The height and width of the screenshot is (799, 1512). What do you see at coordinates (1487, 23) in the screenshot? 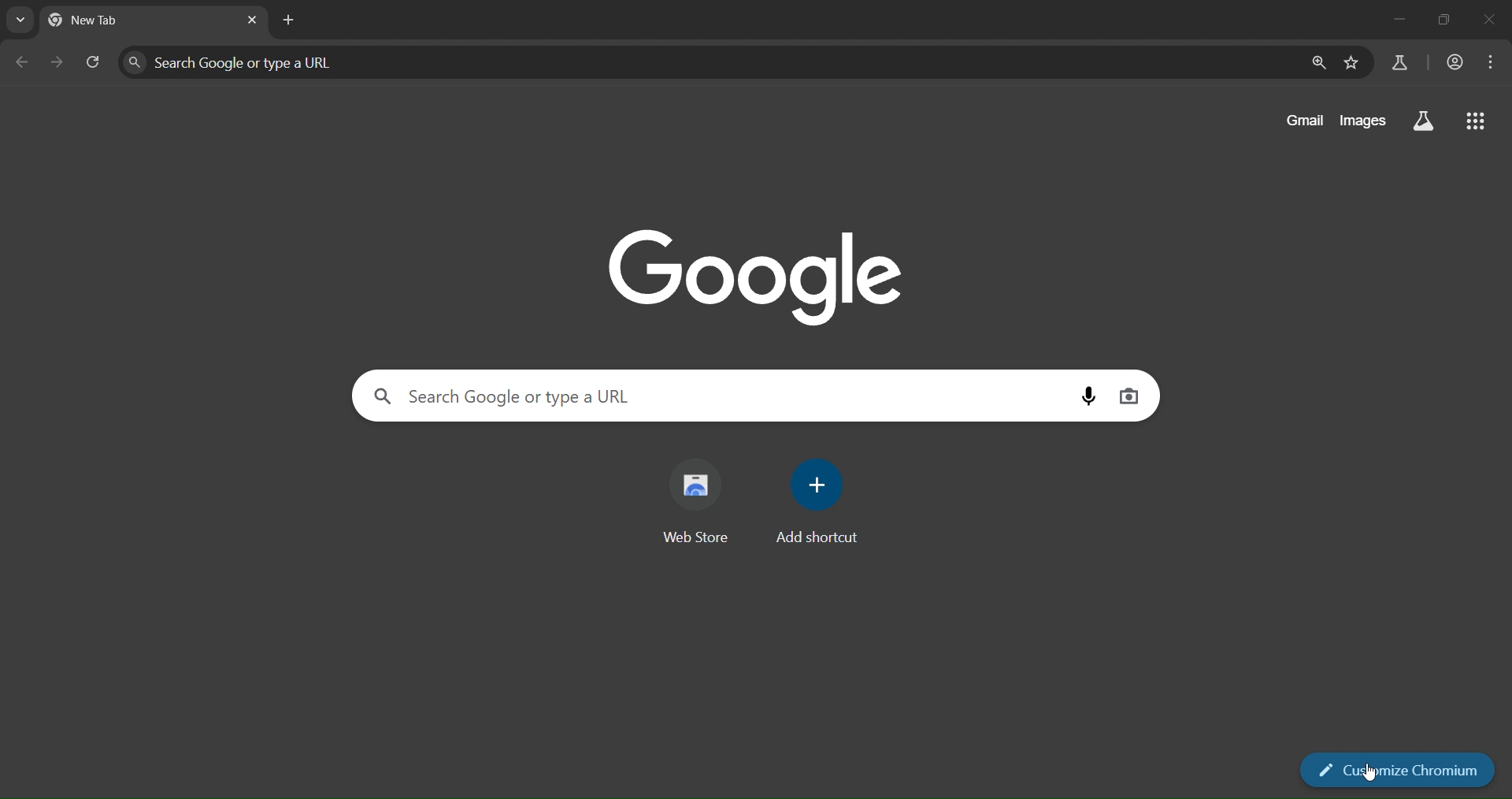
I see `close` at bounding box center [1487, 23].